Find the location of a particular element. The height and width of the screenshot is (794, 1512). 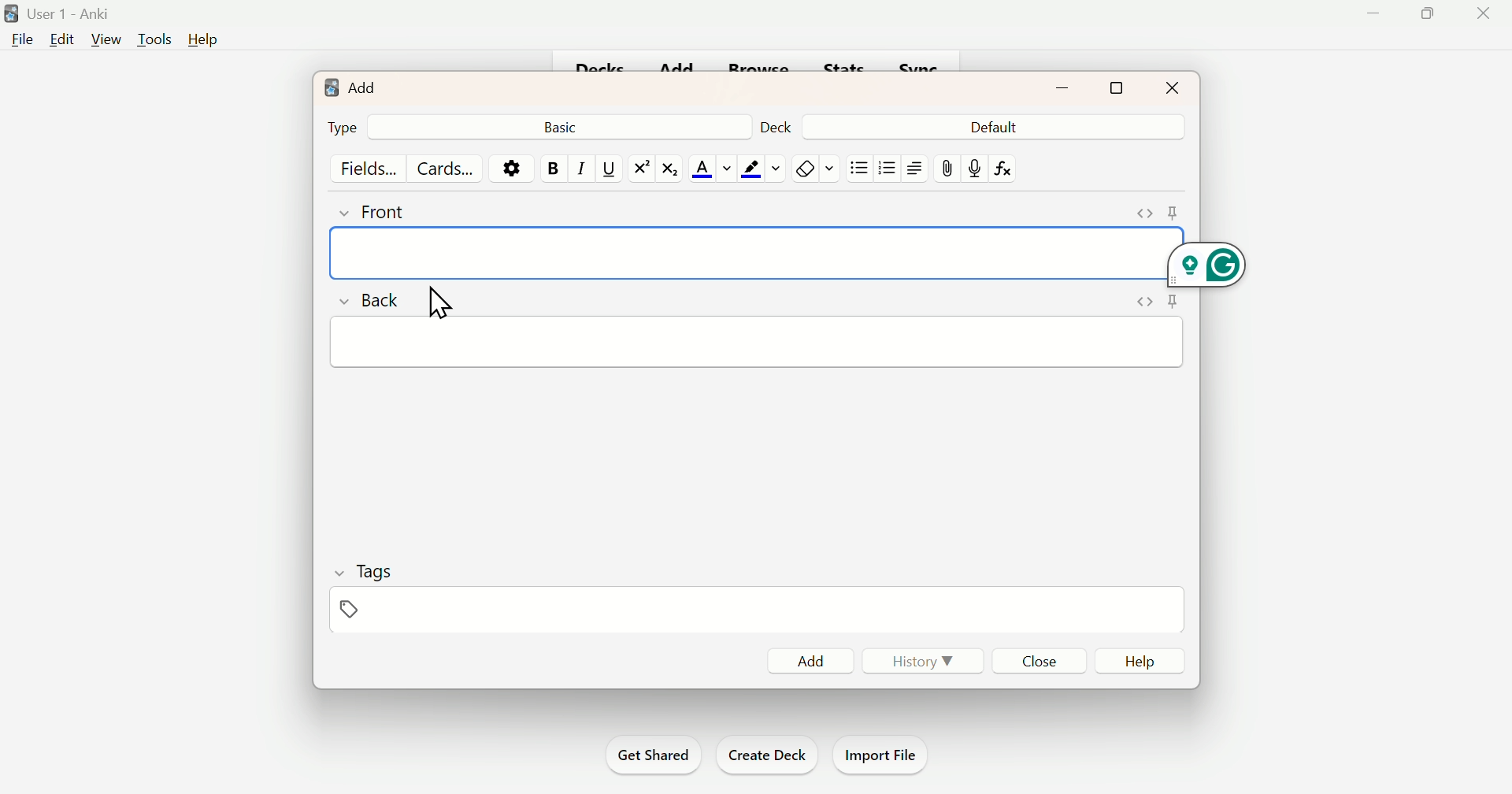

Add is located at coordinates (806, 659).